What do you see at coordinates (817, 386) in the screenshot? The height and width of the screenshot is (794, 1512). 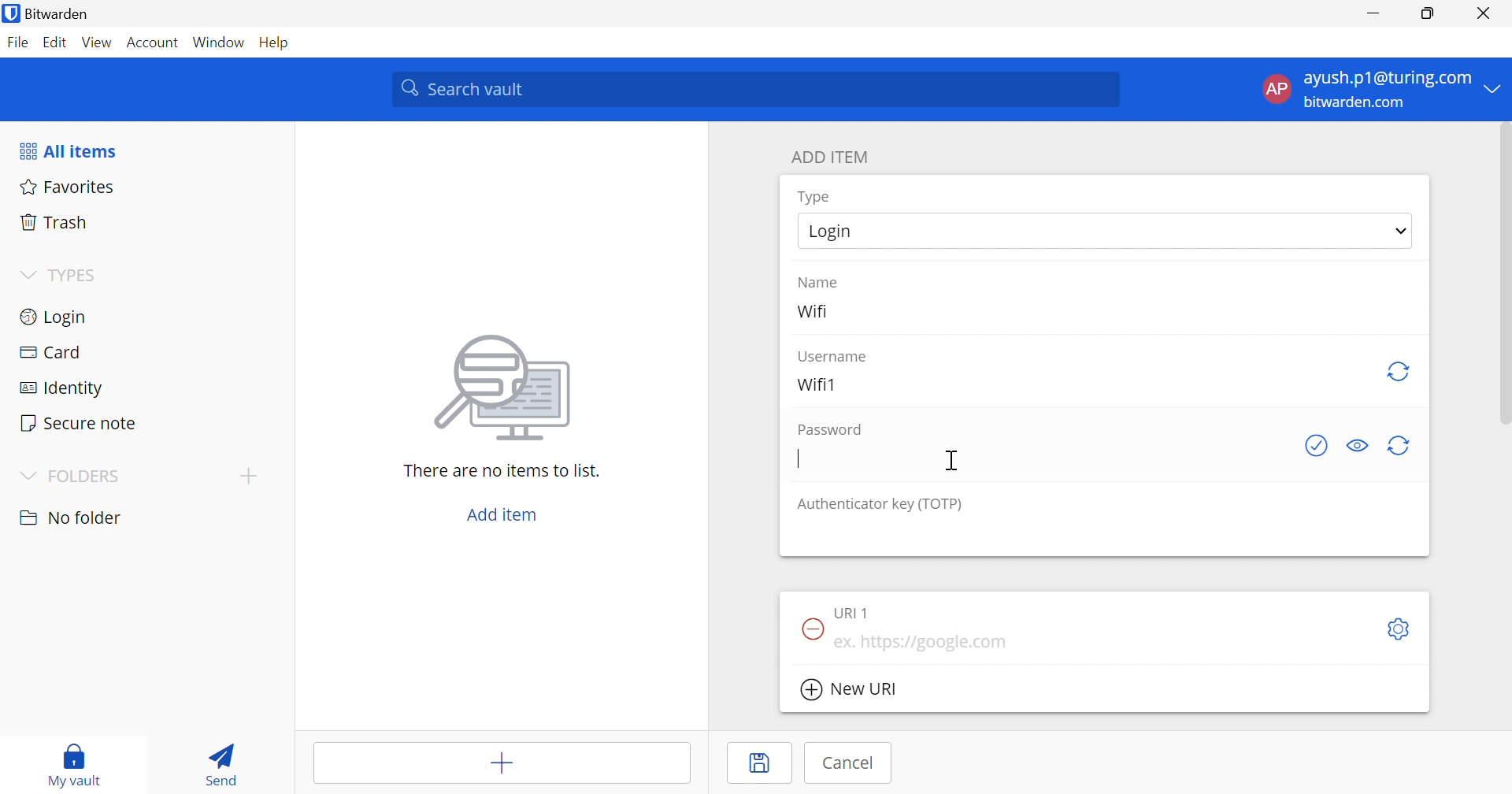 I see `Wifi1` at bounding box center [817, 386].